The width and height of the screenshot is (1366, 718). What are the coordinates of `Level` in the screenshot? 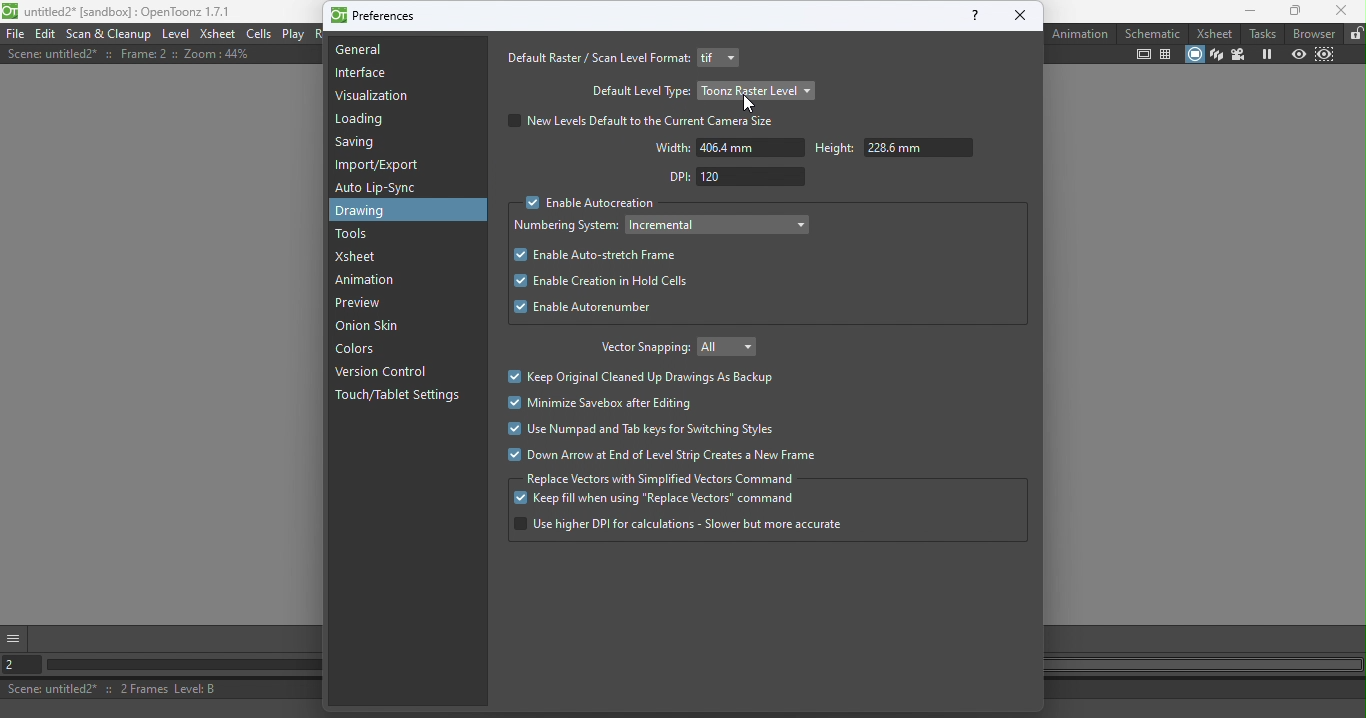 It's located at (175, 33).